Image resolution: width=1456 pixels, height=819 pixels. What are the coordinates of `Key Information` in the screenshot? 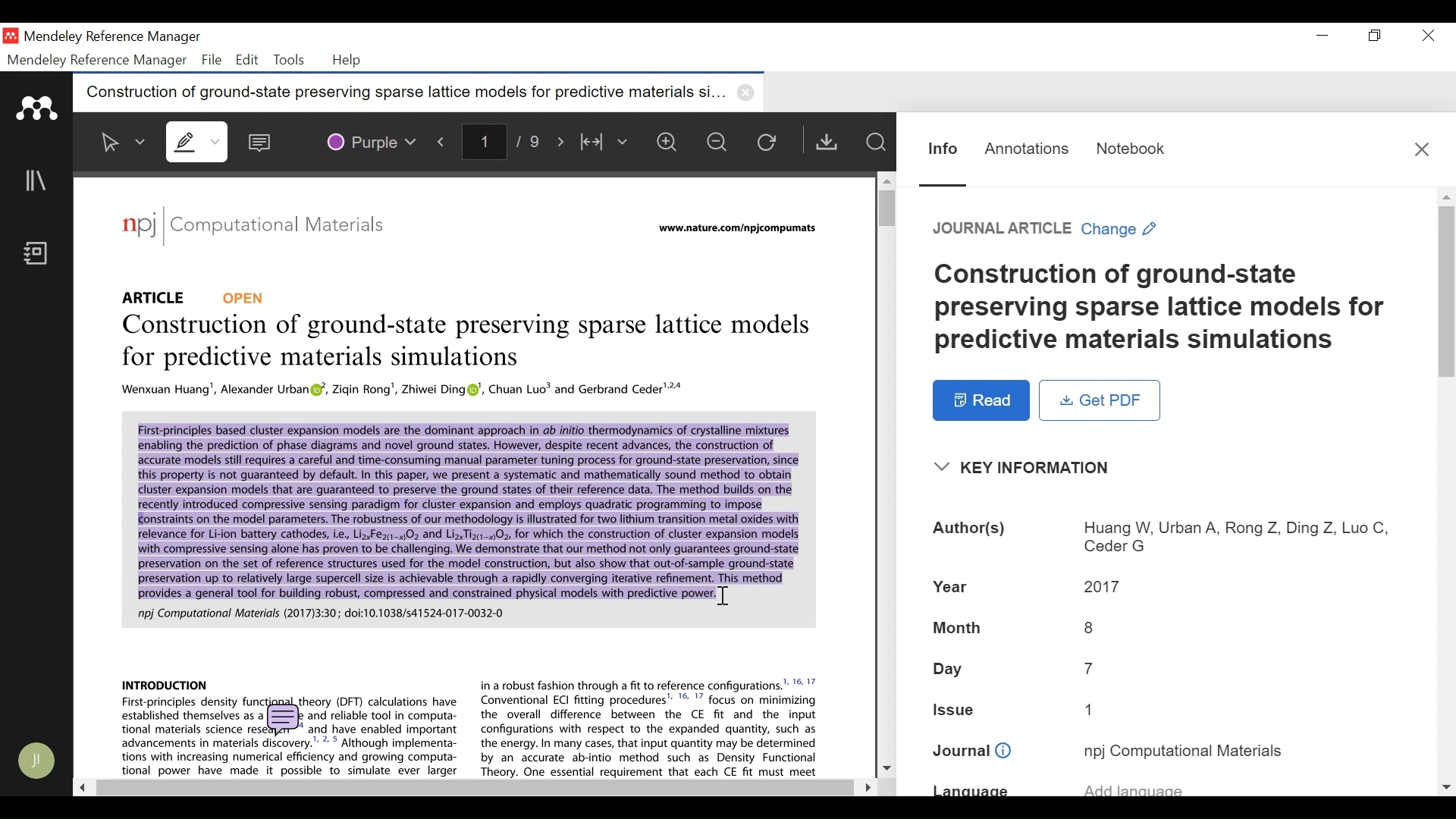 It's located at (1027, 468).